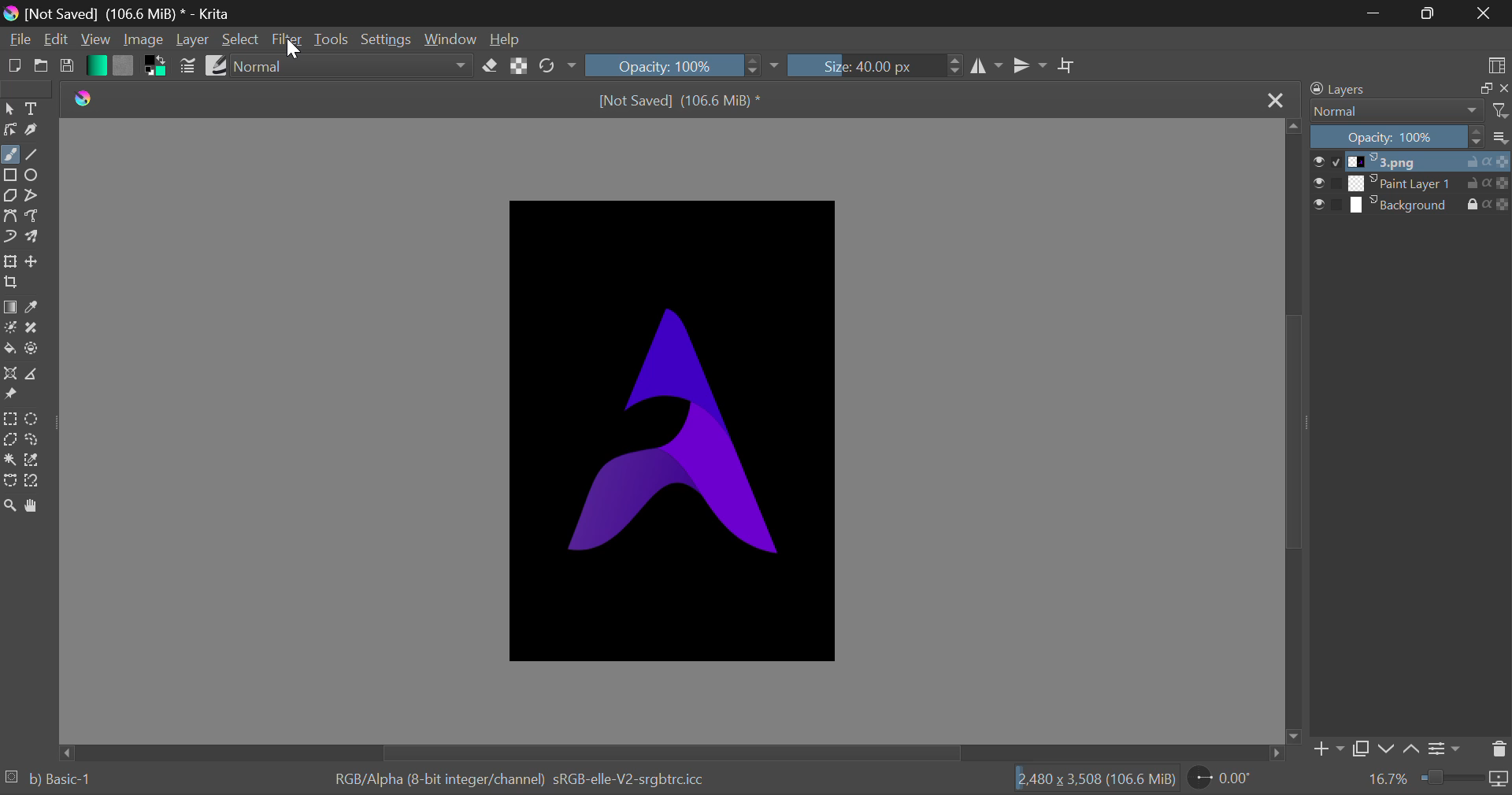 This screenshot has height=795, width=1512. What do you see at coordinates (188, 65) in the screenshot?
I see `Brush Settings` at bounding box center [188, 65].